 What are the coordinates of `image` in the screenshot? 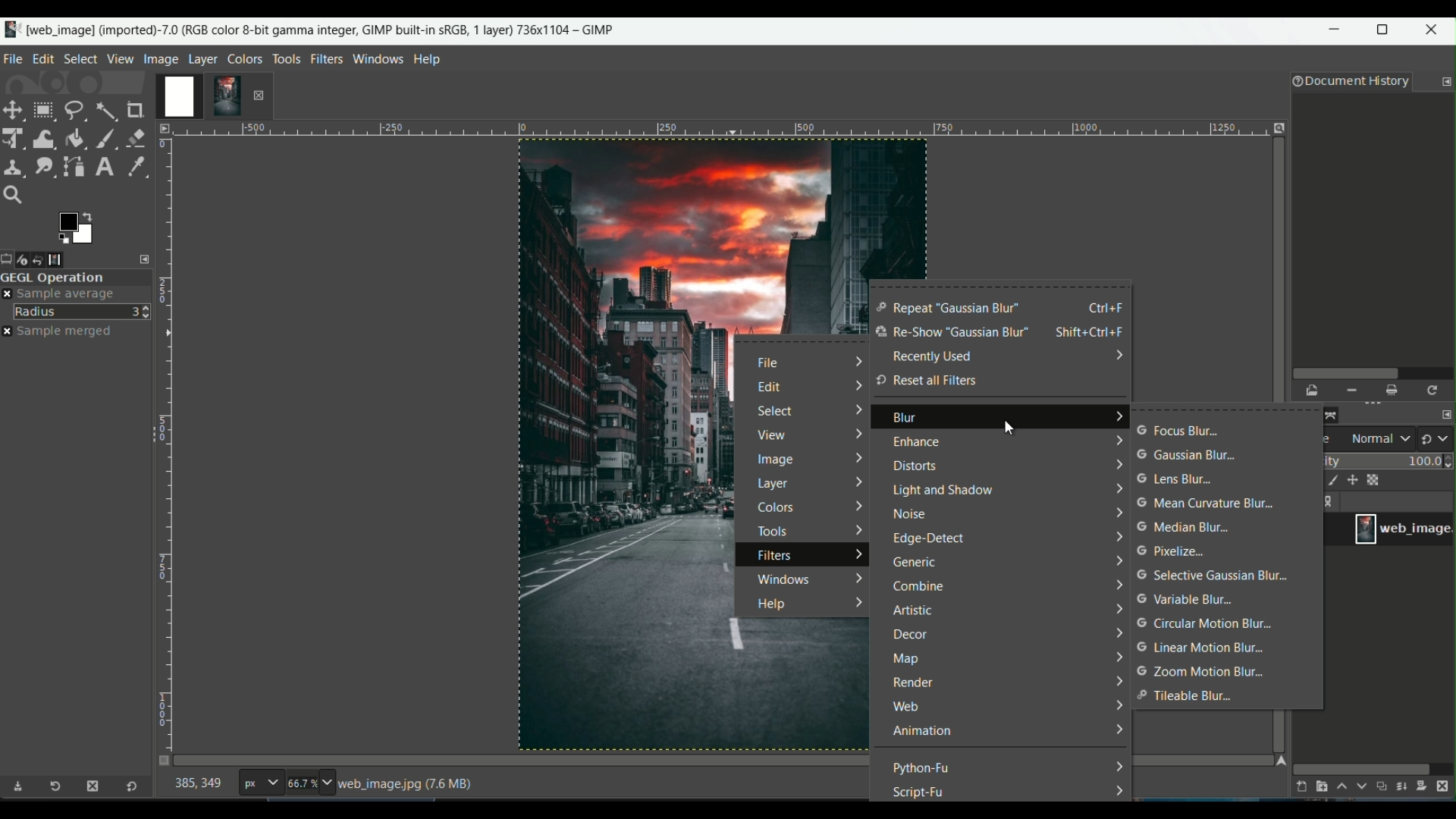 It's located at (775, 462).